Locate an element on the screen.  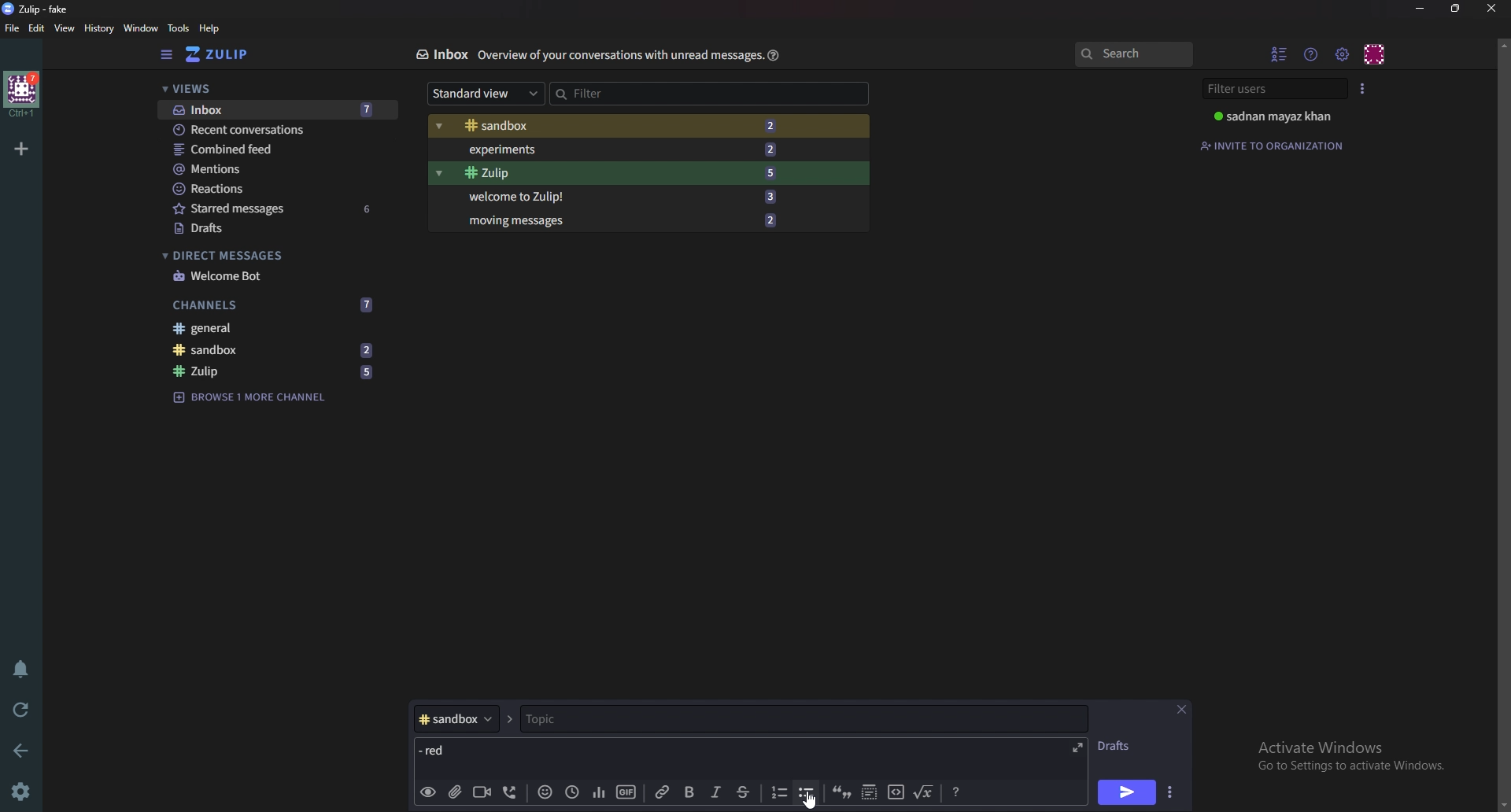
Numbered list is located at coordinates (778, 792).